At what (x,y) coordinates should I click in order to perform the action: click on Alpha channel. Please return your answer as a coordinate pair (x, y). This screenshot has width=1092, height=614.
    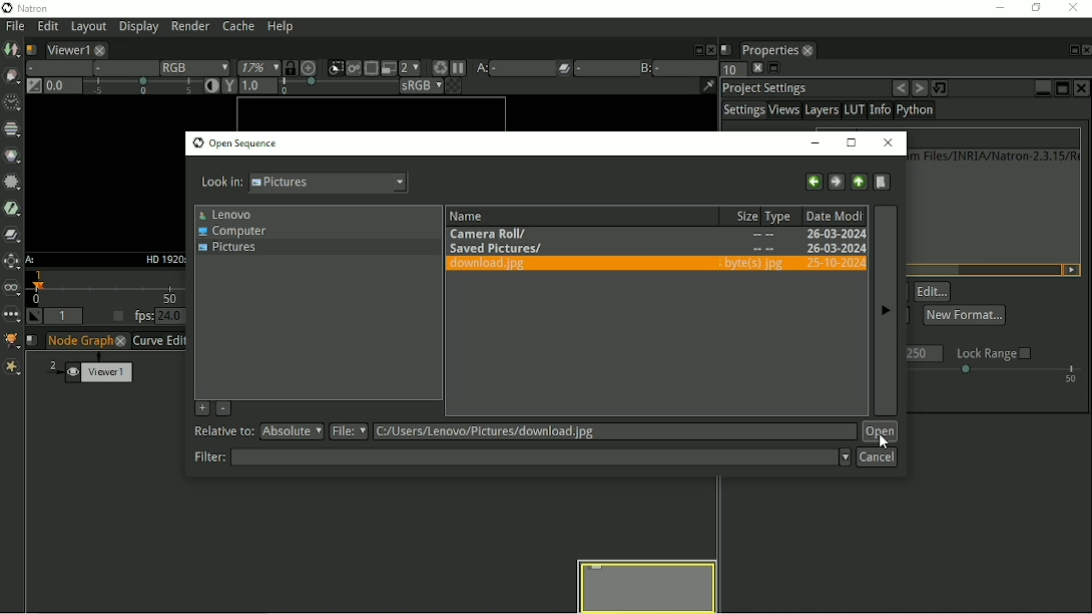
    Looking at the image, I should click on (121, 69).